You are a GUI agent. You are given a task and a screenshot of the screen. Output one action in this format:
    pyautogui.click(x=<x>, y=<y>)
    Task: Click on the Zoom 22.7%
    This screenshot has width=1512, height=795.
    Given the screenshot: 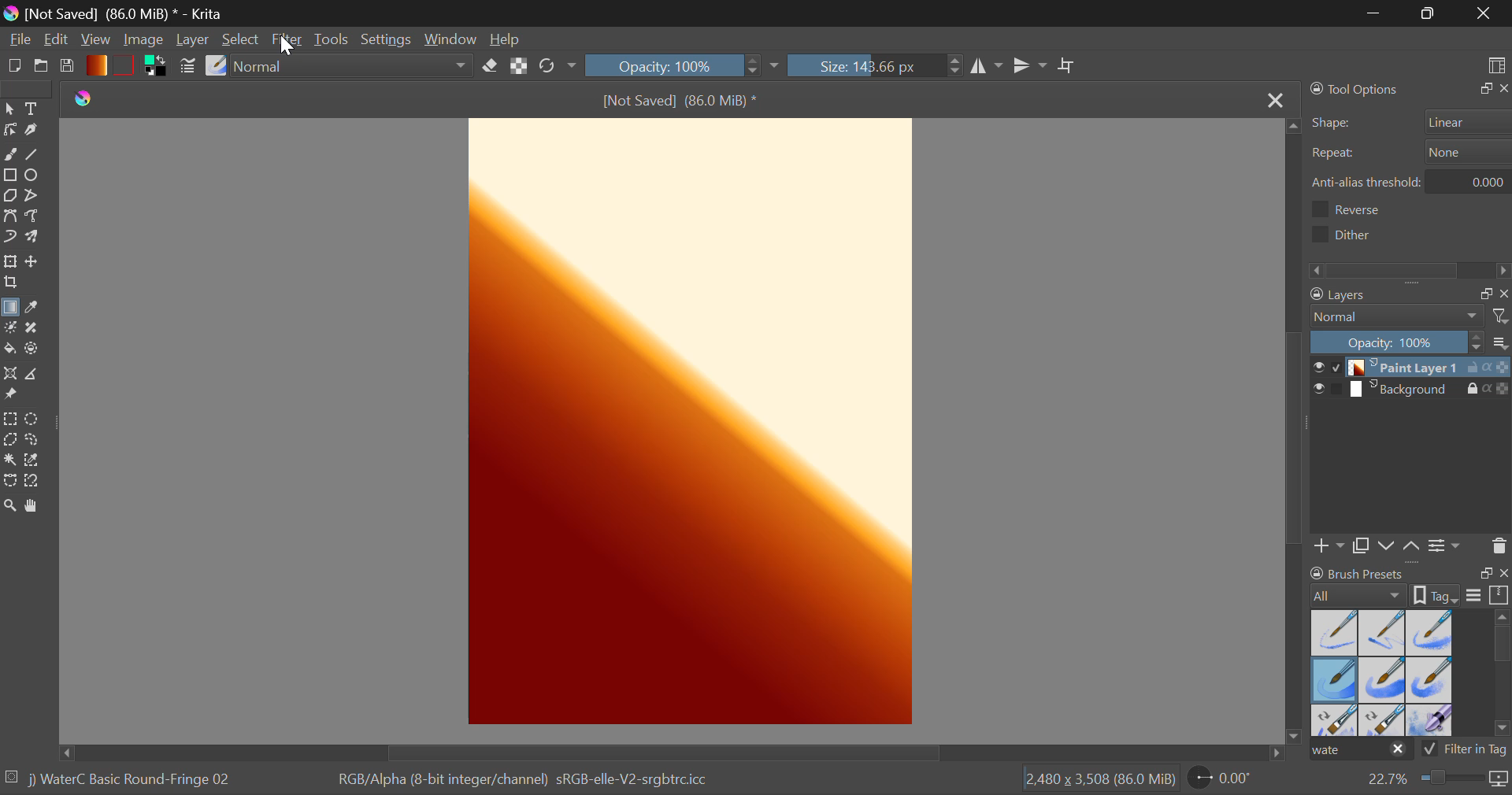 What is the action you would take?
    pyautogui.click(x=1435, y=782)
    